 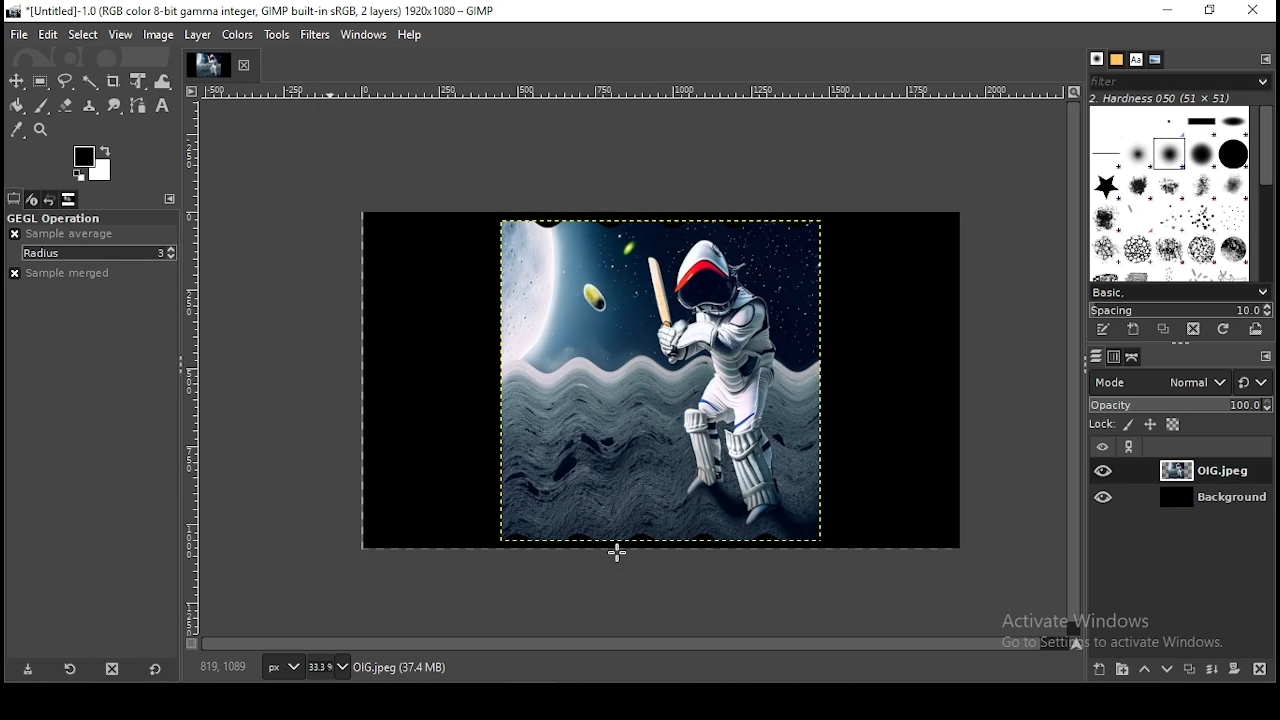 I want to click on scroll bar, so click(x=1265, y=193).